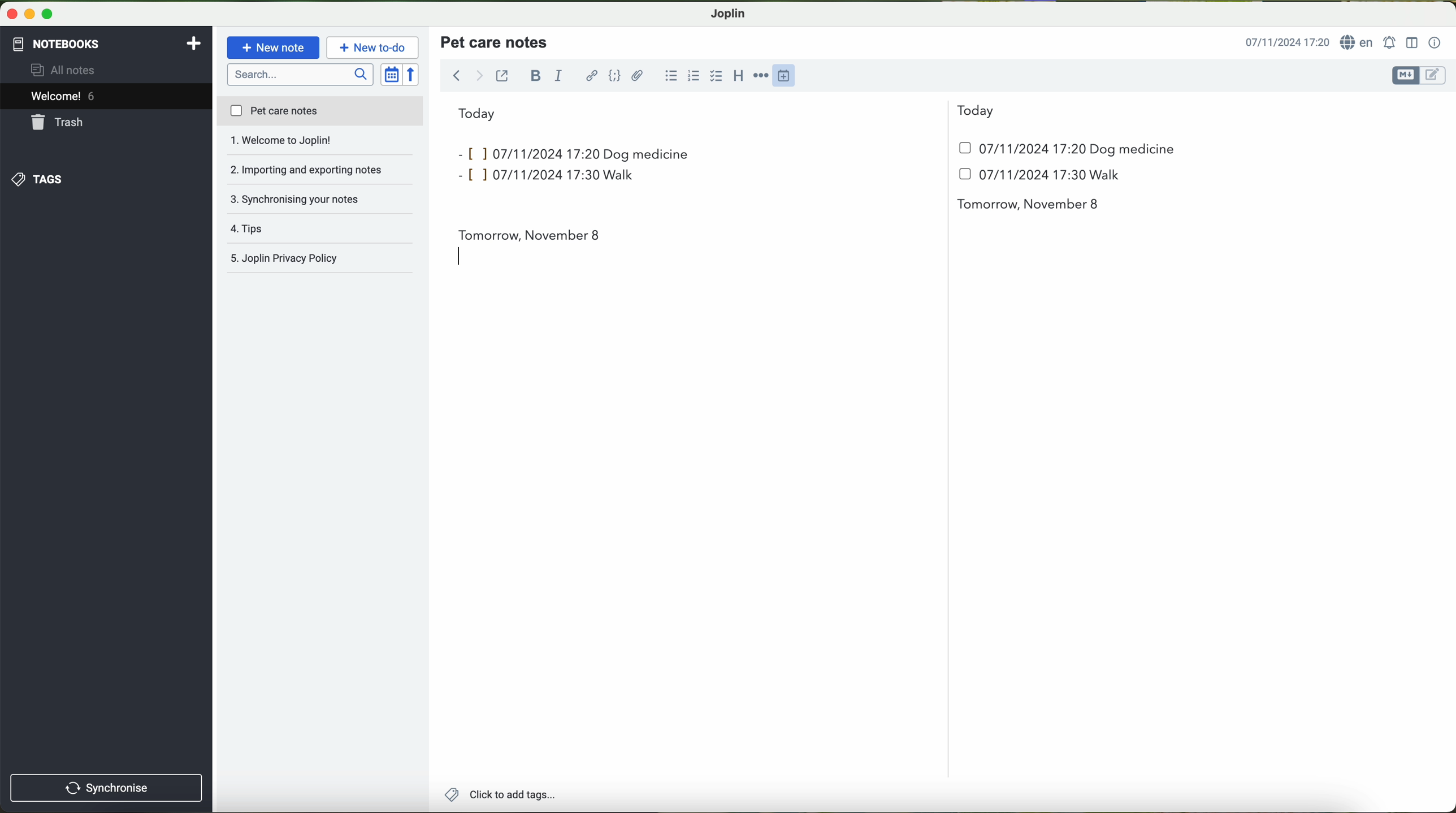 This screenshot has width=1456, height=813. What do you see at coordinates (320, 144) in the screenshot?
I see `importing and exporting notes` at bounding box center [320, 144].